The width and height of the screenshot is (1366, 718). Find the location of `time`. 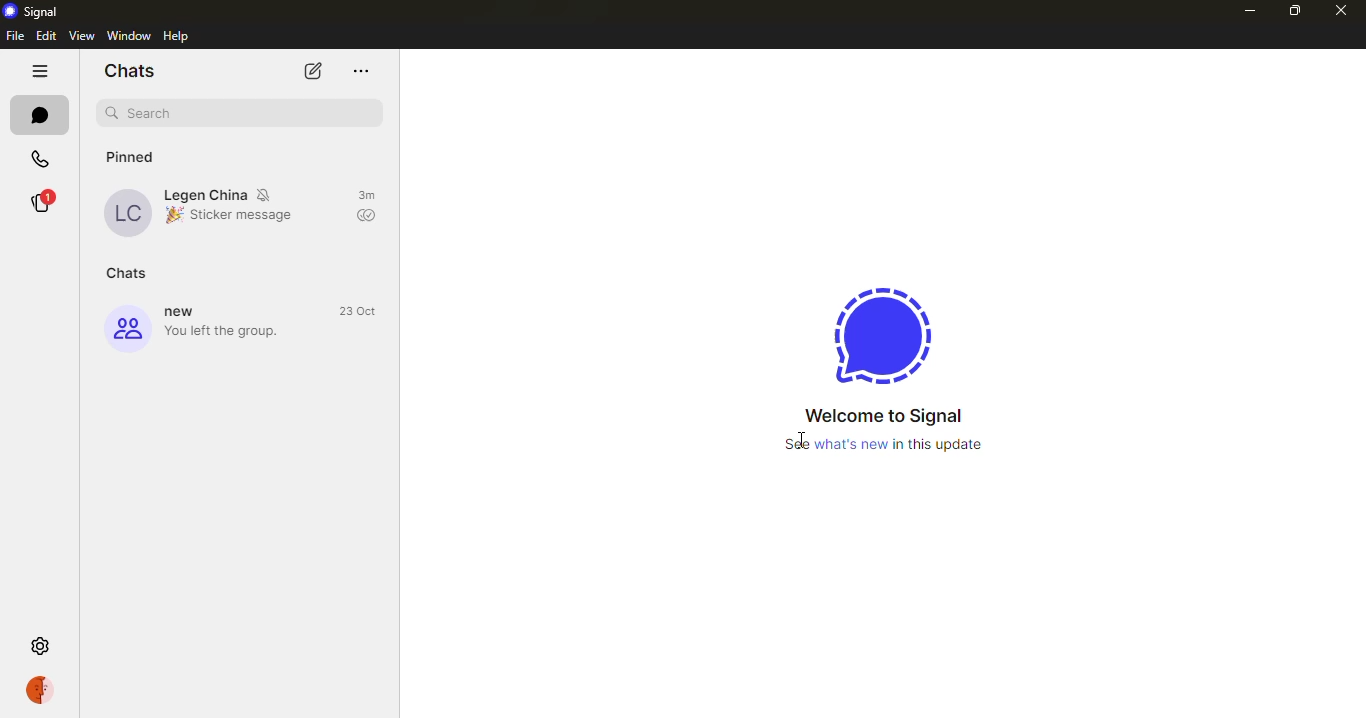

time is located at coordinates (361, 310).